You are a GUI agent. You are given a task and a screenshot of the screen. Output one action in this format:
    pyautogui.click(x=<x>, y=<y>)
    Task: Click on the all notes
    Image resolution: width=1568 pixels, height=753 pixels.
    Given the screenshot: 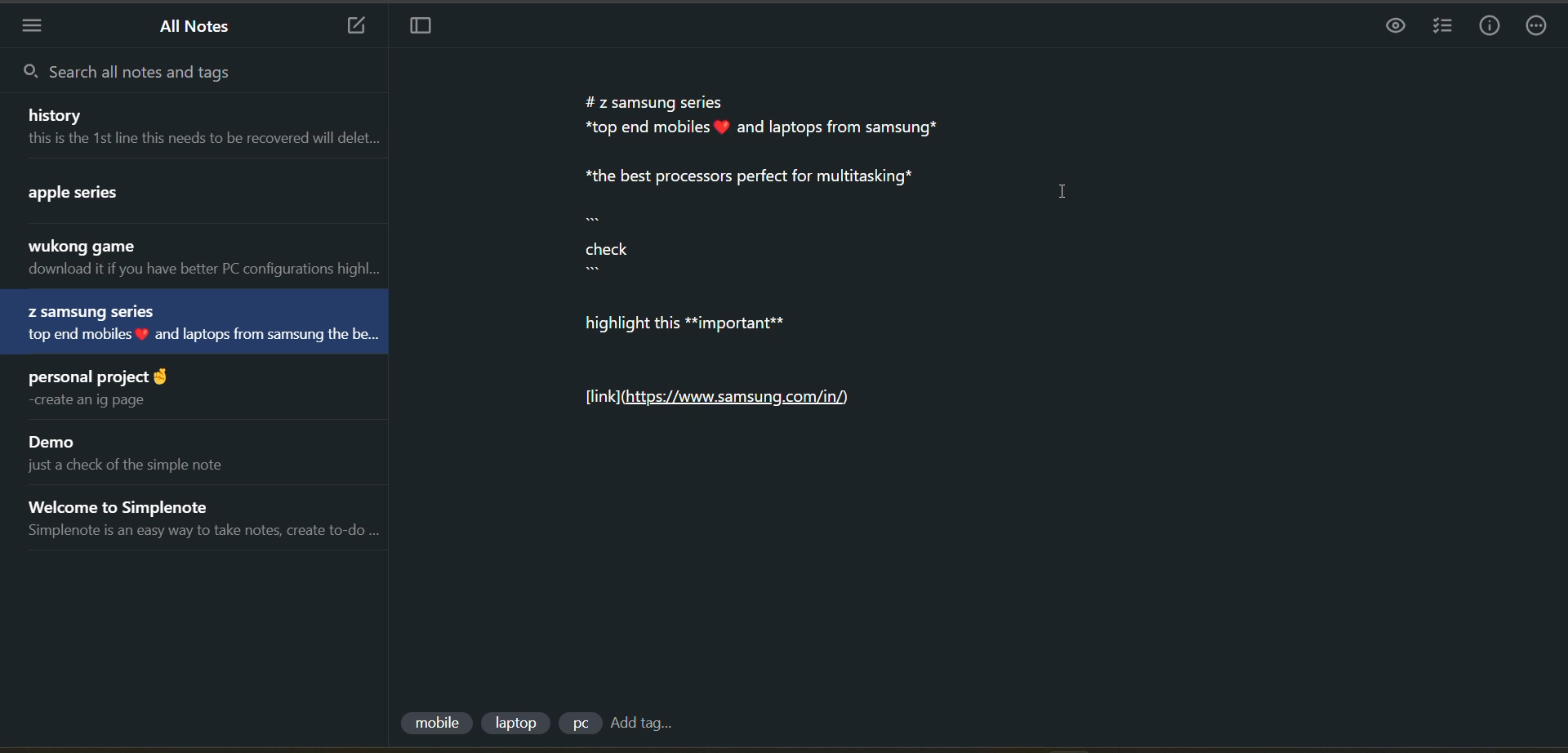 What is the action you would take?
    pyautogui.click(x=203, y=27)
    